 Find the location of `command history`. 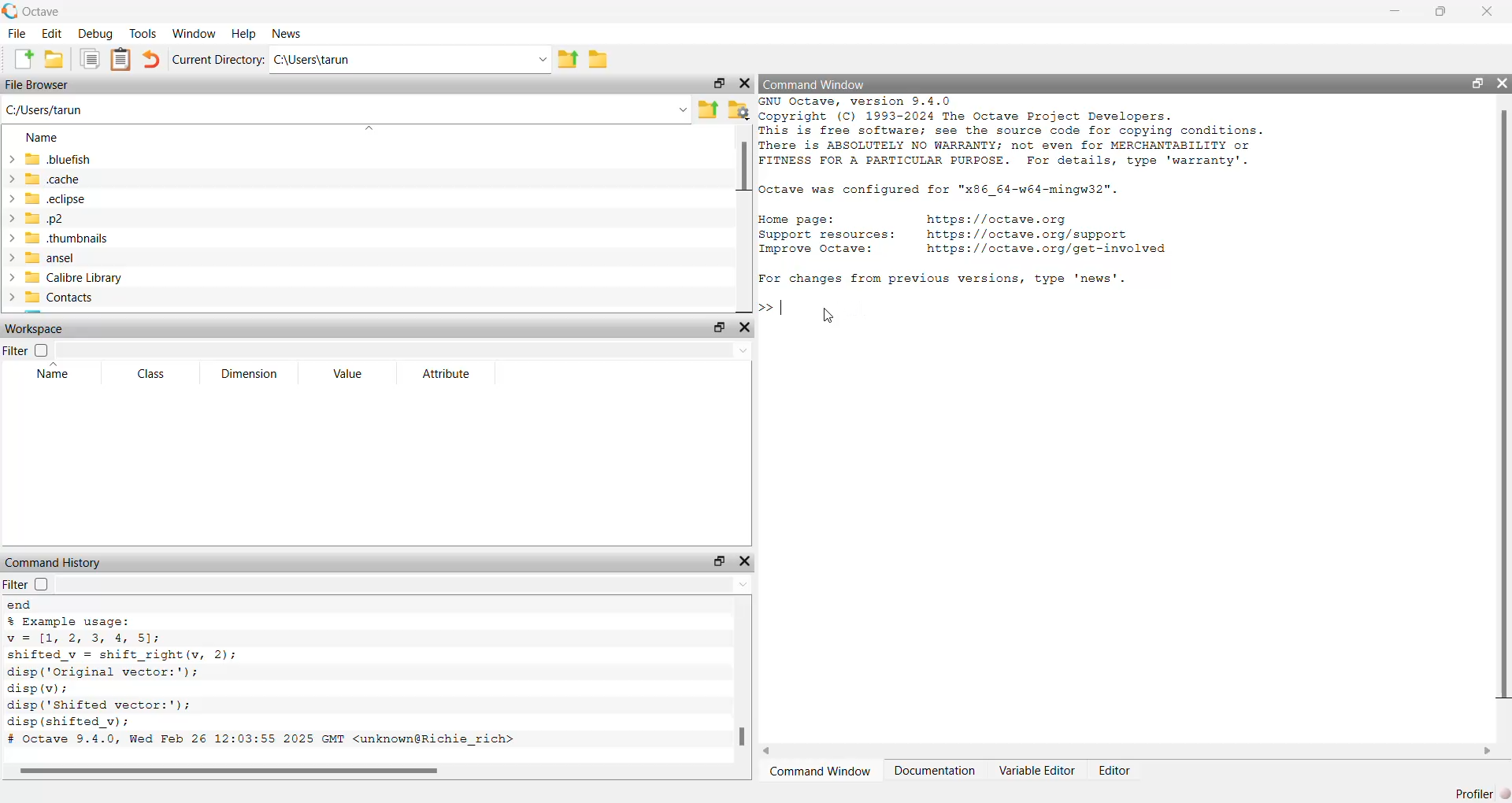

command history is located at coordinates (52, 562).